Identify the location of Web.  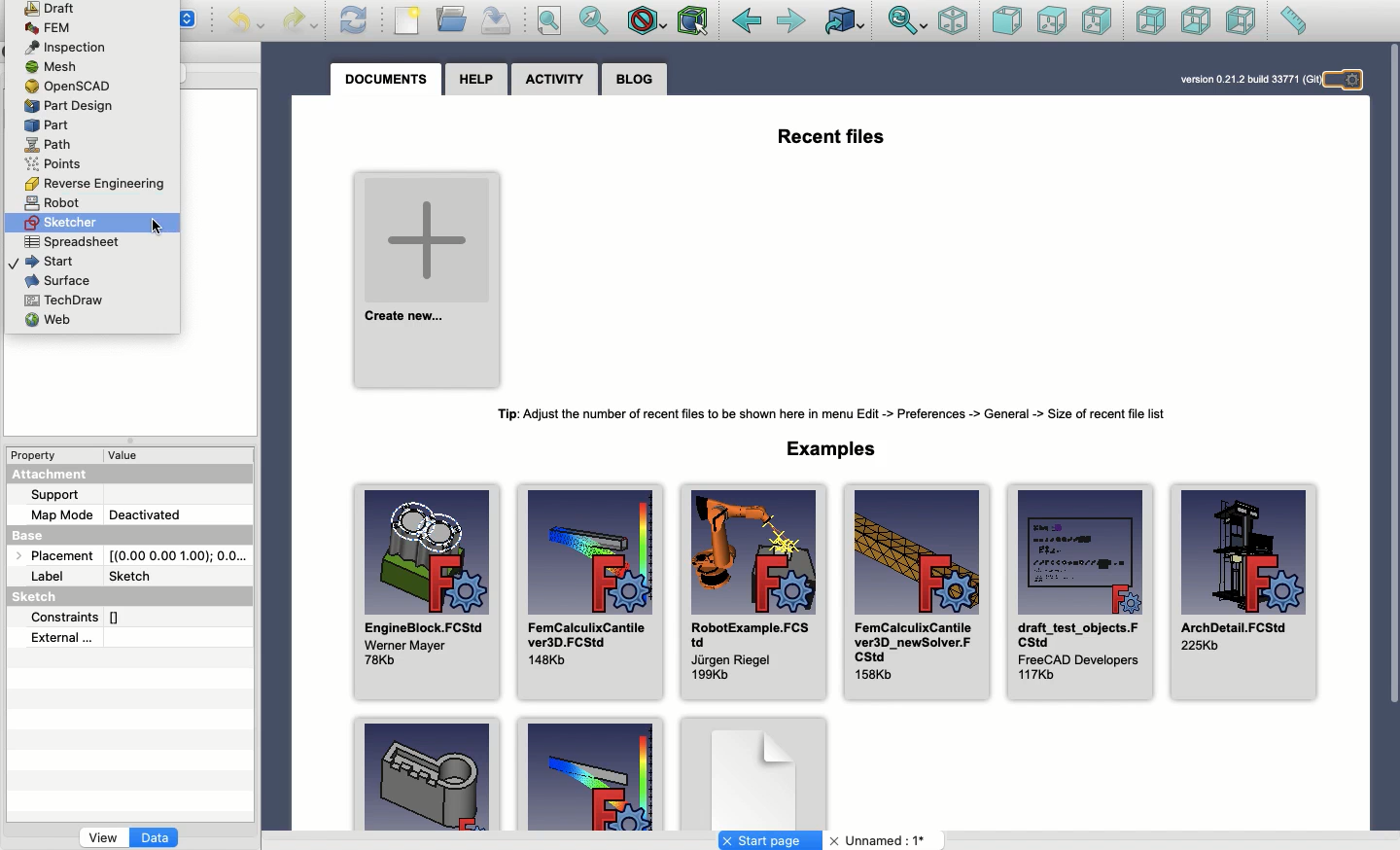
(56, 321).